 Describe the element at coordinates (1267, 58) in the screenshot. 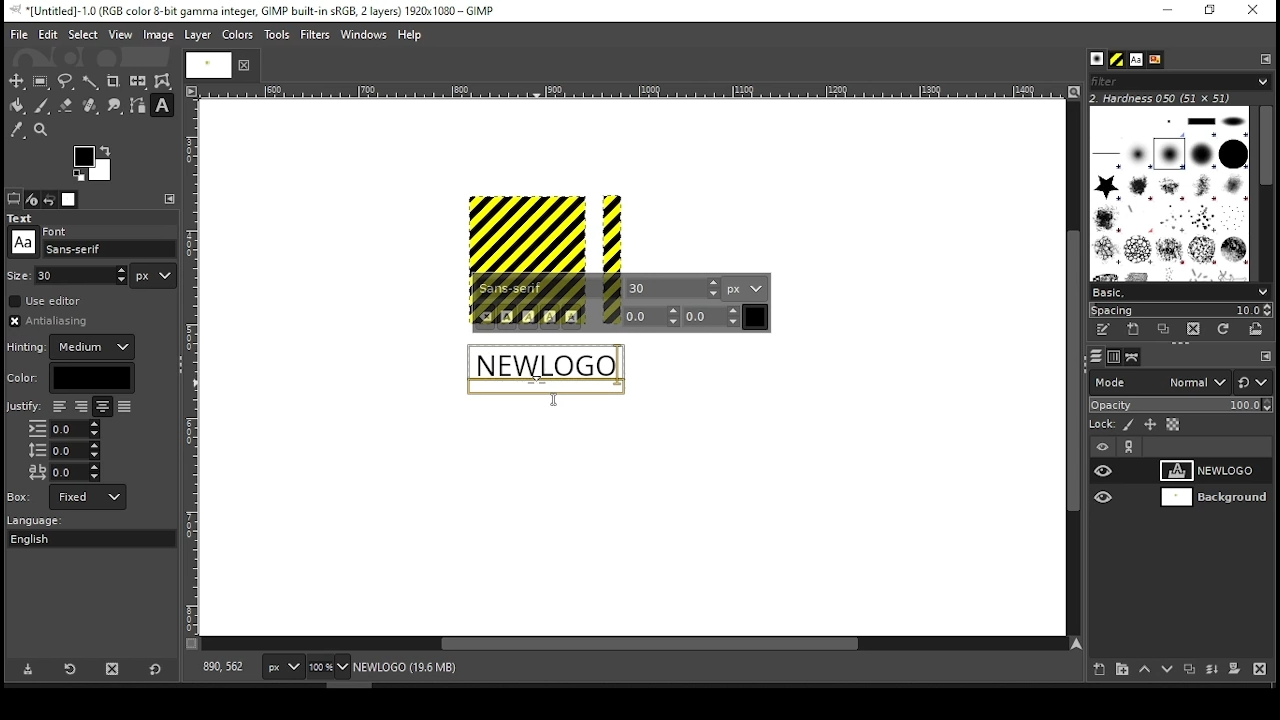

I see `configure this tab` at that location.